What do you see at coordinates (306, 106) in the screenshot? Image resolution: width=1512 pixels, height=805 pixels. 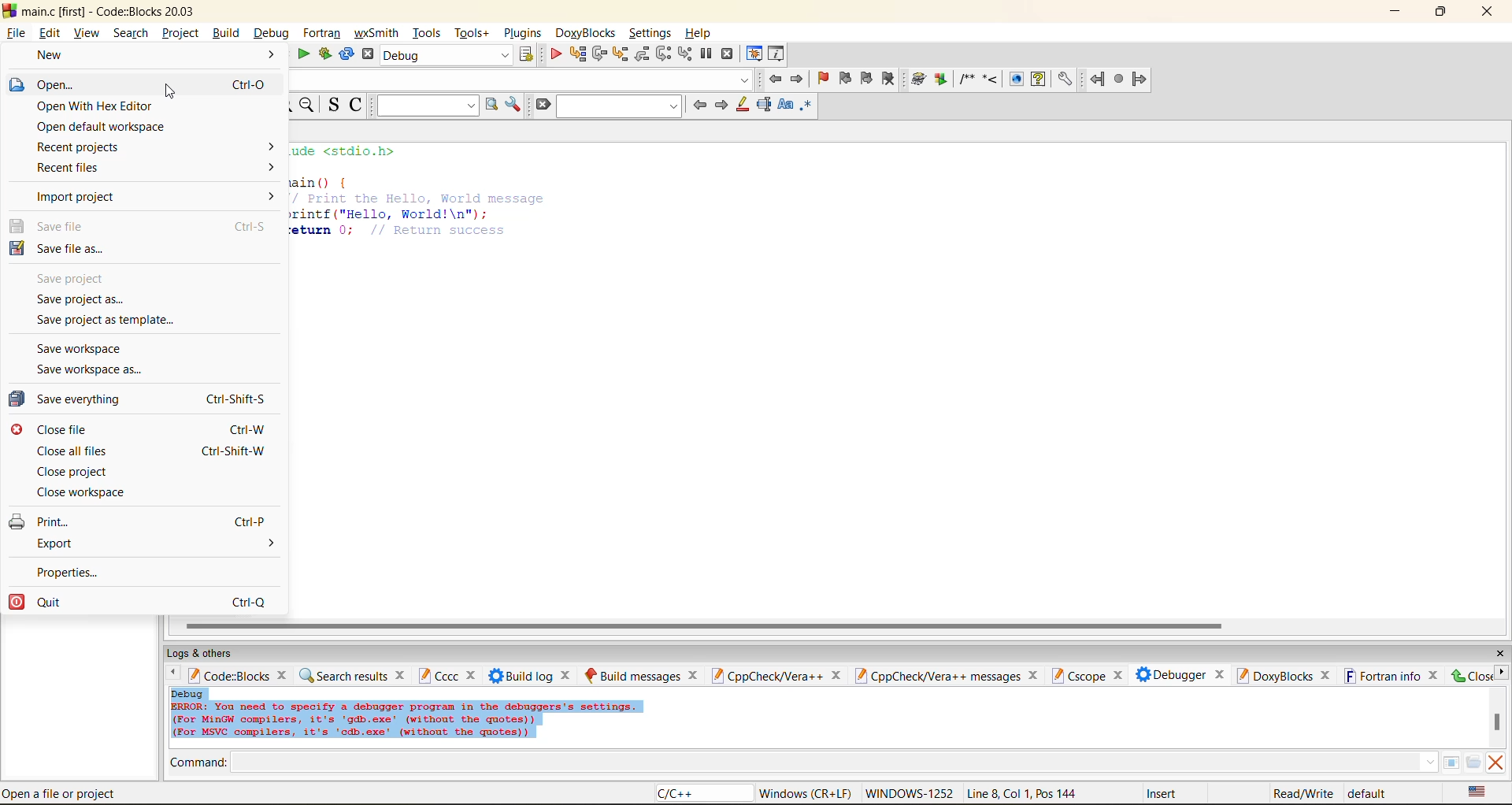 I see `zoom out` at bounding box center [306, 106].